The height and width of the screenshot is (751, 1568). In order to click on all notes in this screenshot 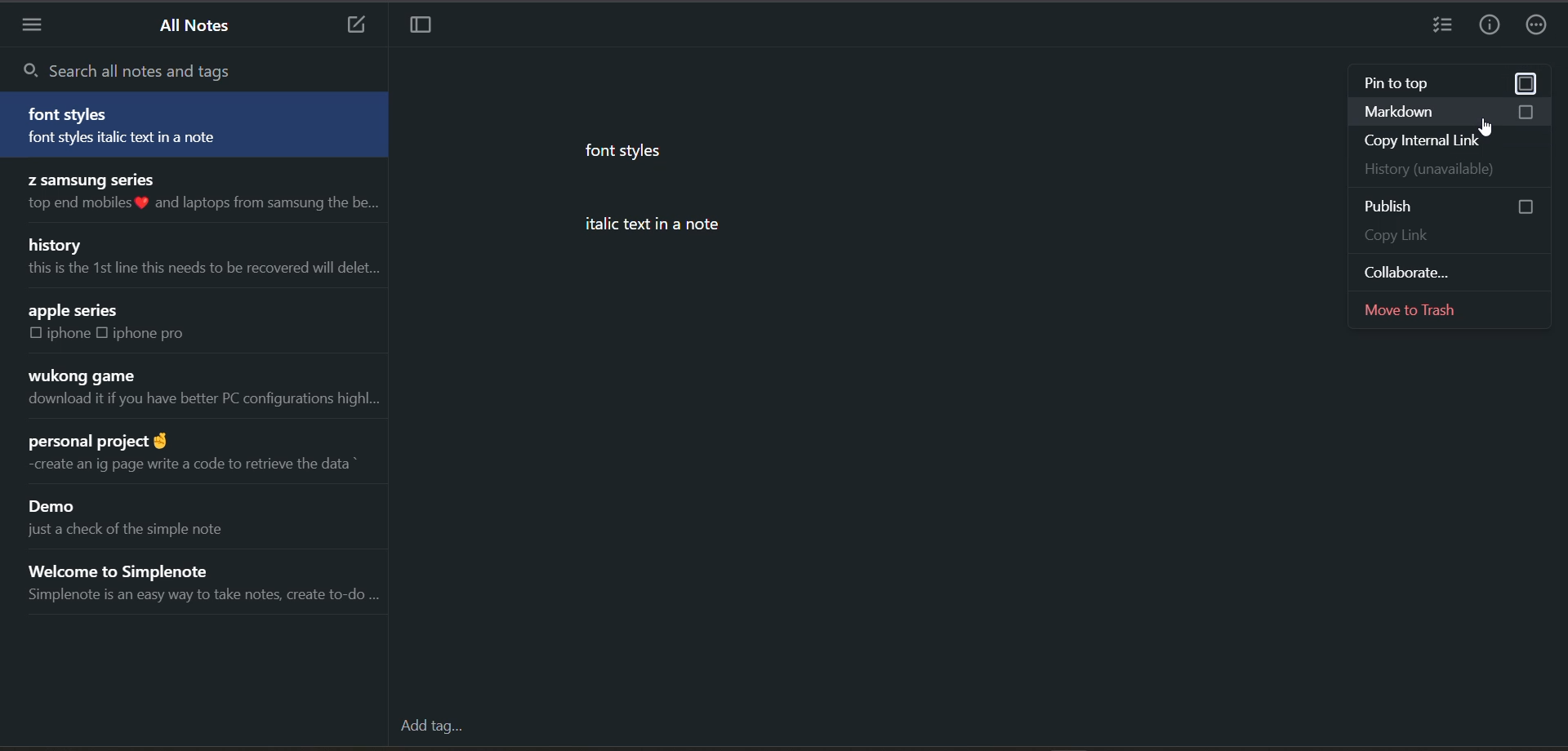, I will do `click(199, 29)`.